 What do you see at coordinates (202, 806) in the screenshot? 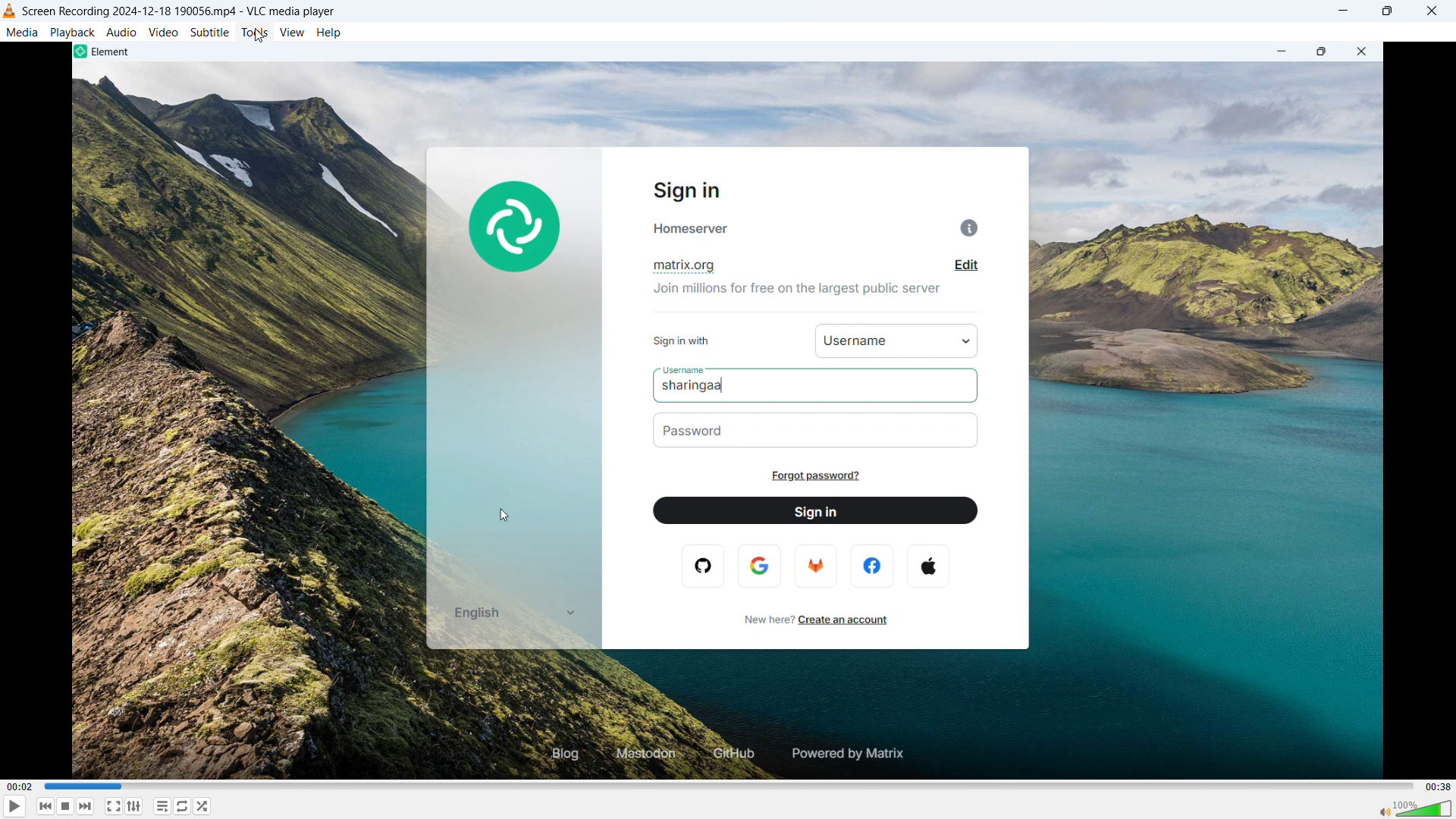
I see `random` at bounding box center [202, 806].